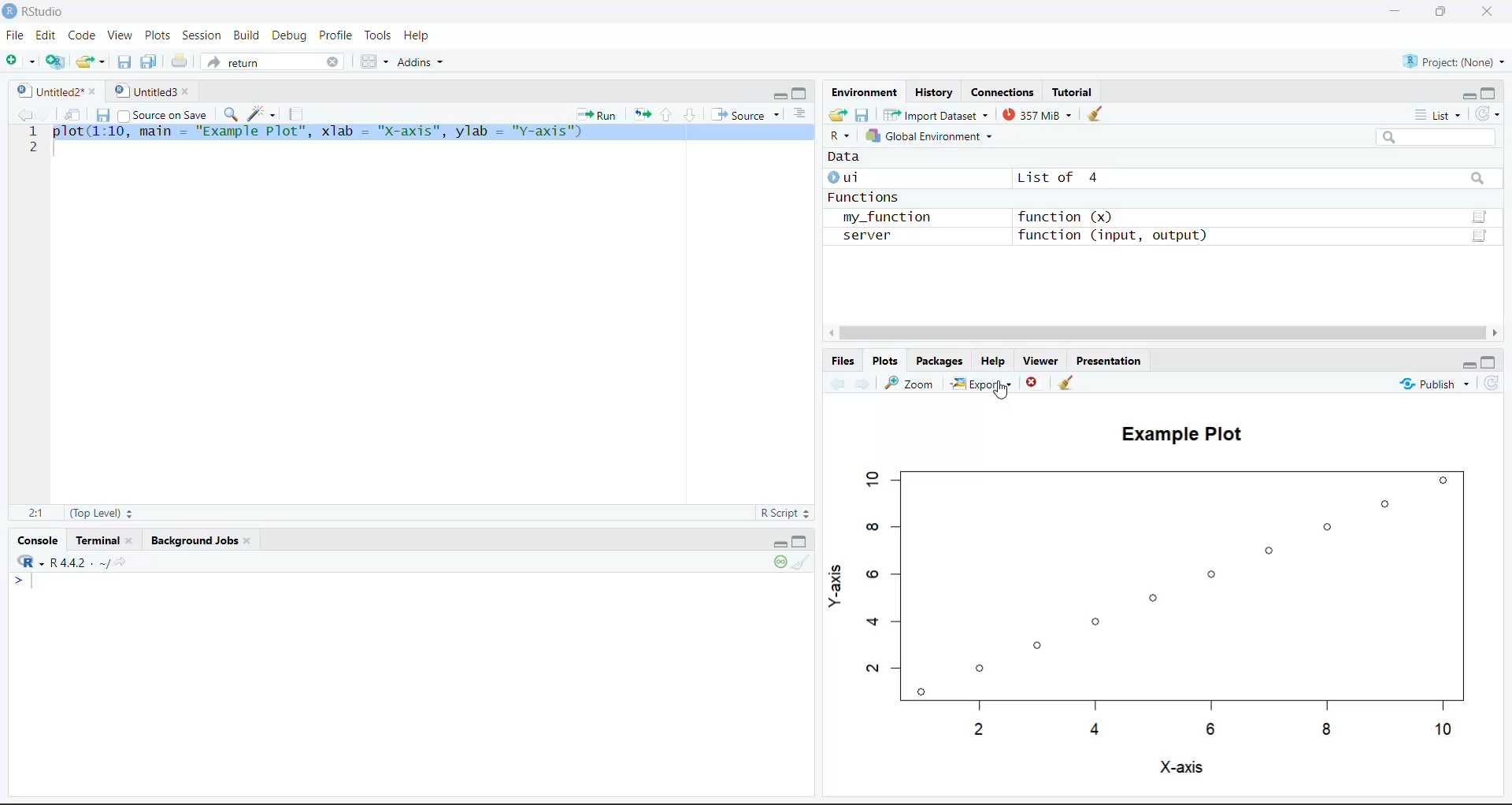 This screenshot has width=1512, height=805. I want to click on RStudio, so click(36, 12).